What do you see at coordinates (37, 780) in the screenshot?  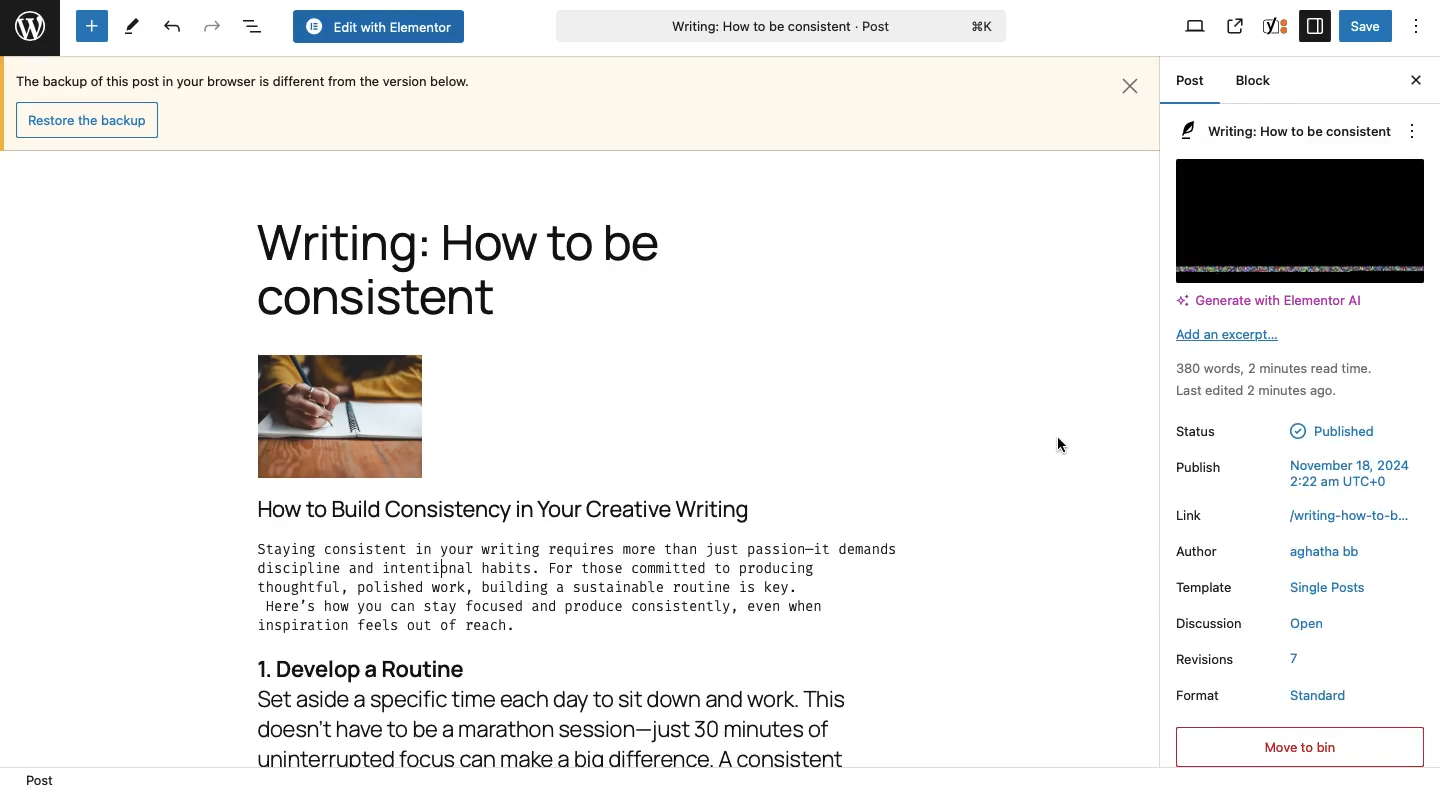 I see `Post` at bounding box center [37, 780].